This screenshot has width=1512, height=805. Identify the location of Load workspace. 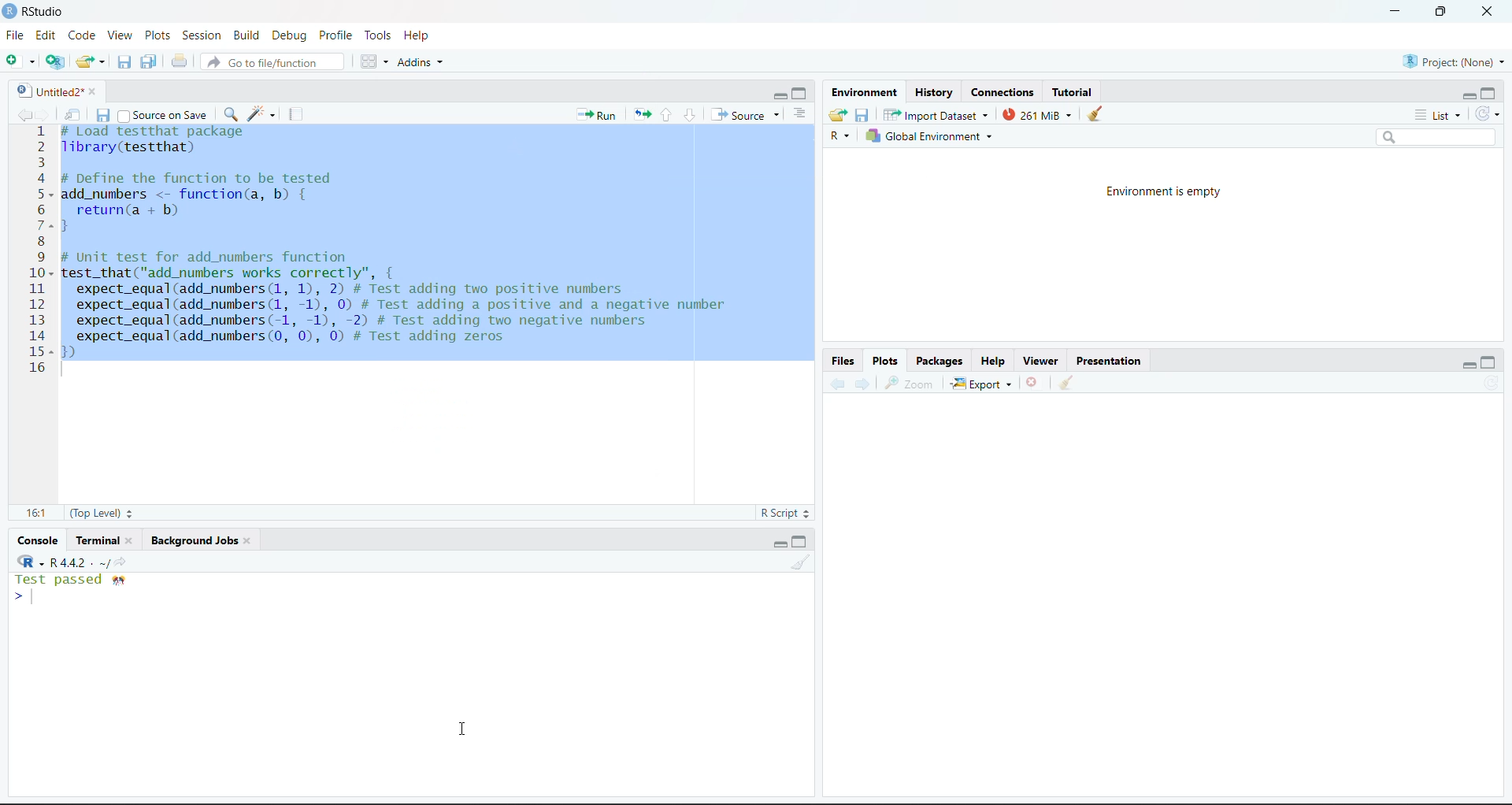
(839, 114).